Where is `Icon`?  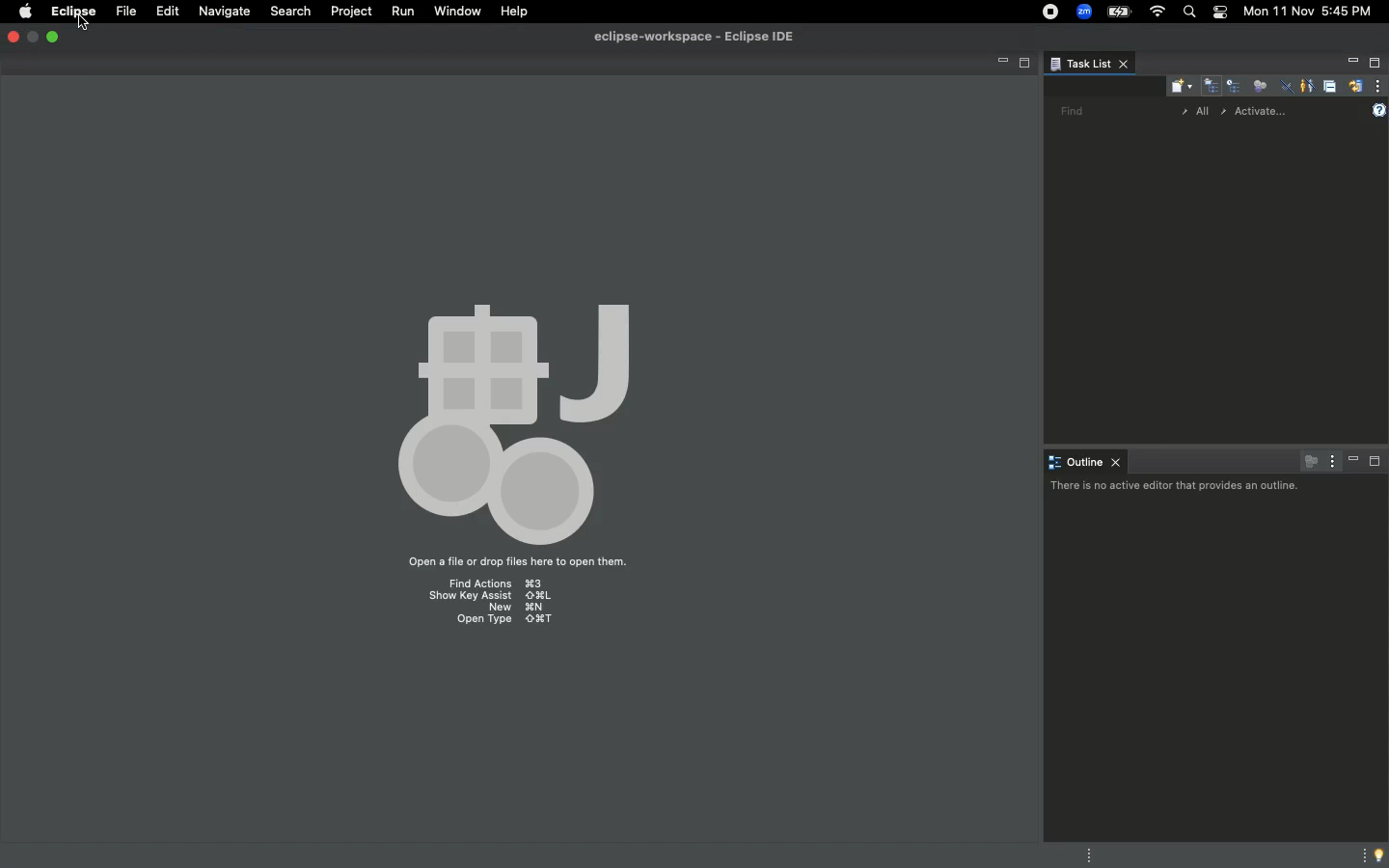
Icon is located at coordinates (513, 414).